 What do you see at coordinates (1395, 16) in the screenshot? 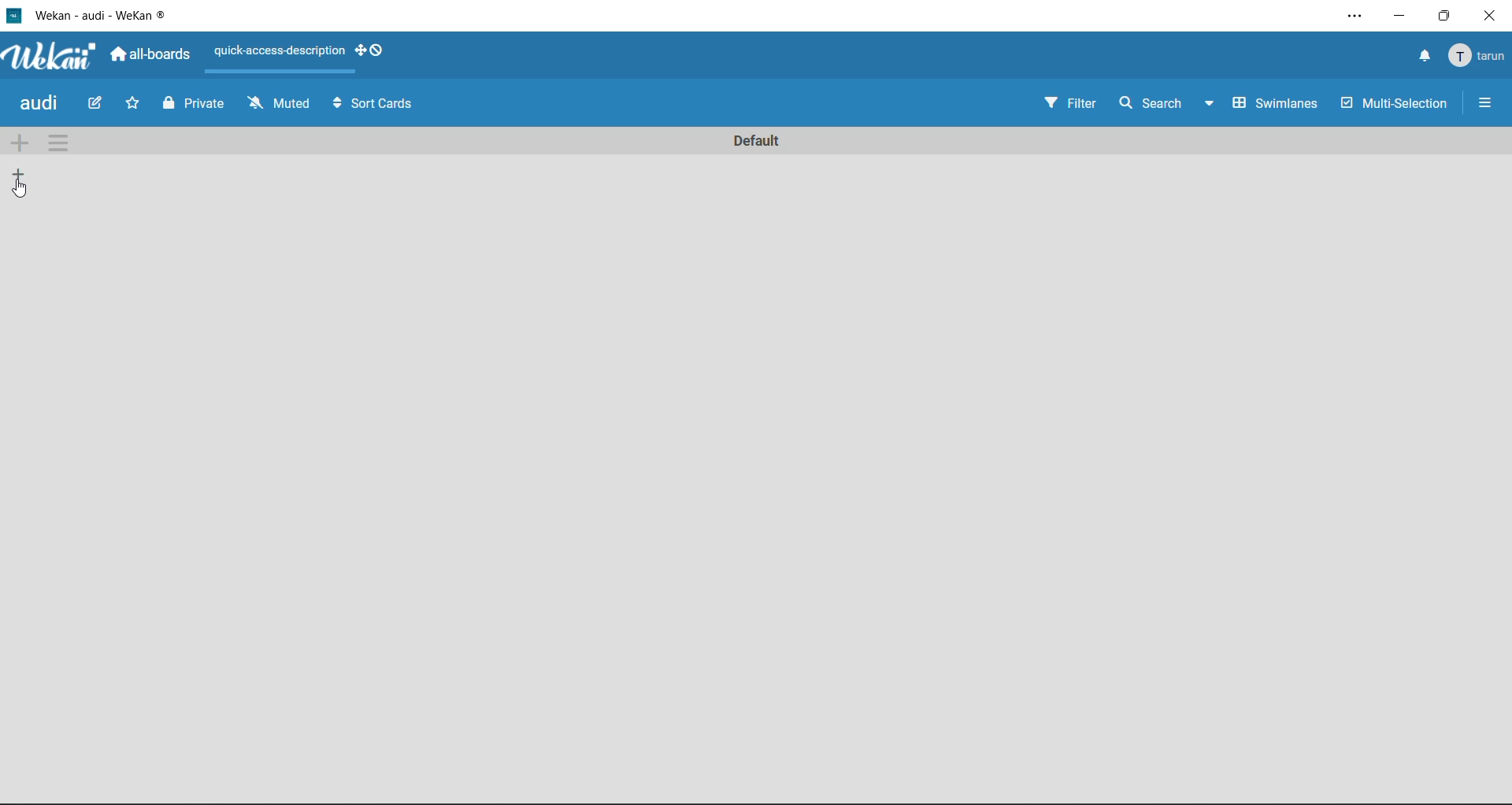
I see `minimize` at bounding box center [1395, 16].